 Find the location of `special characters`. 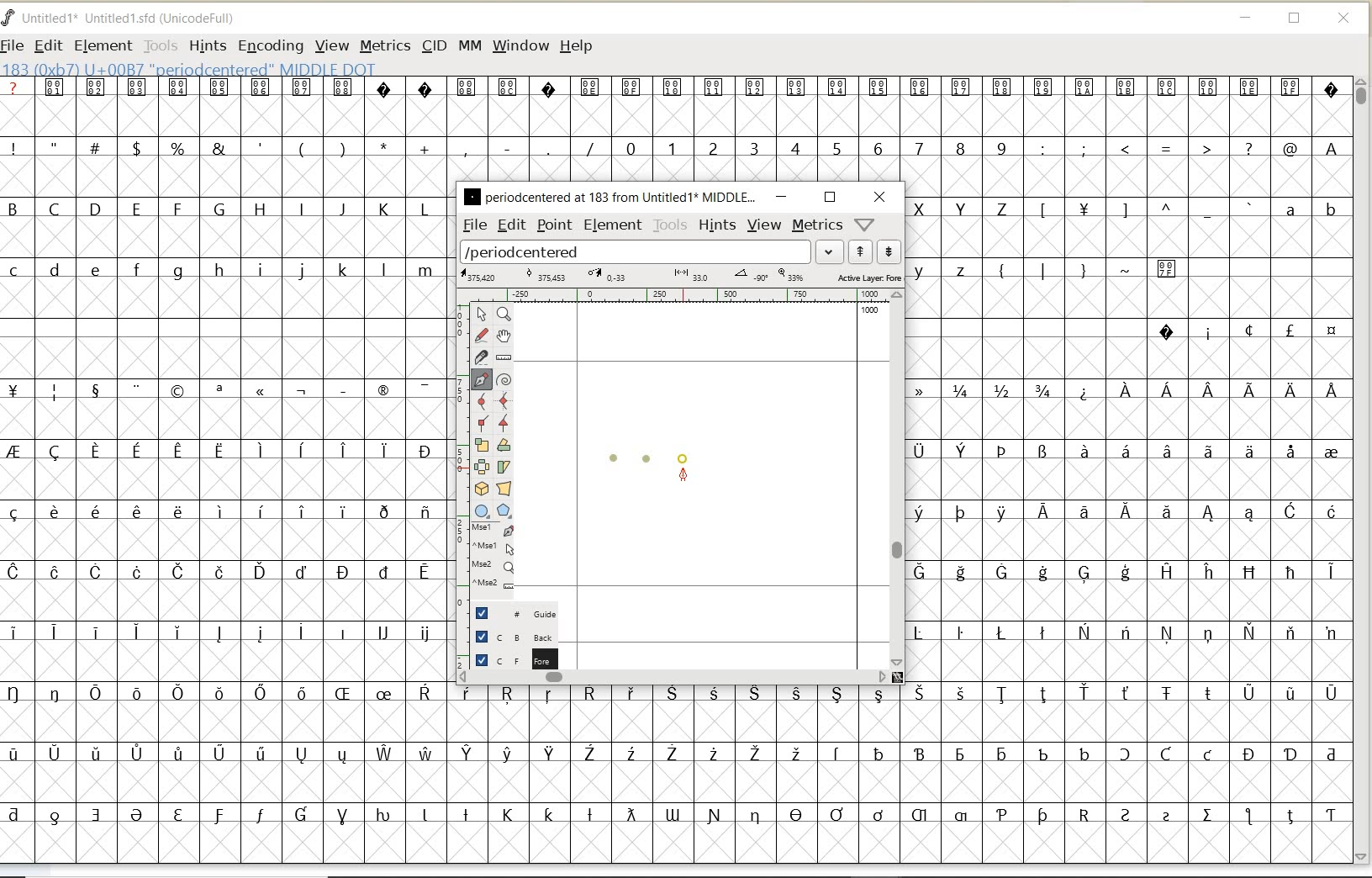

special characters is located at coordinates (1108, 276).